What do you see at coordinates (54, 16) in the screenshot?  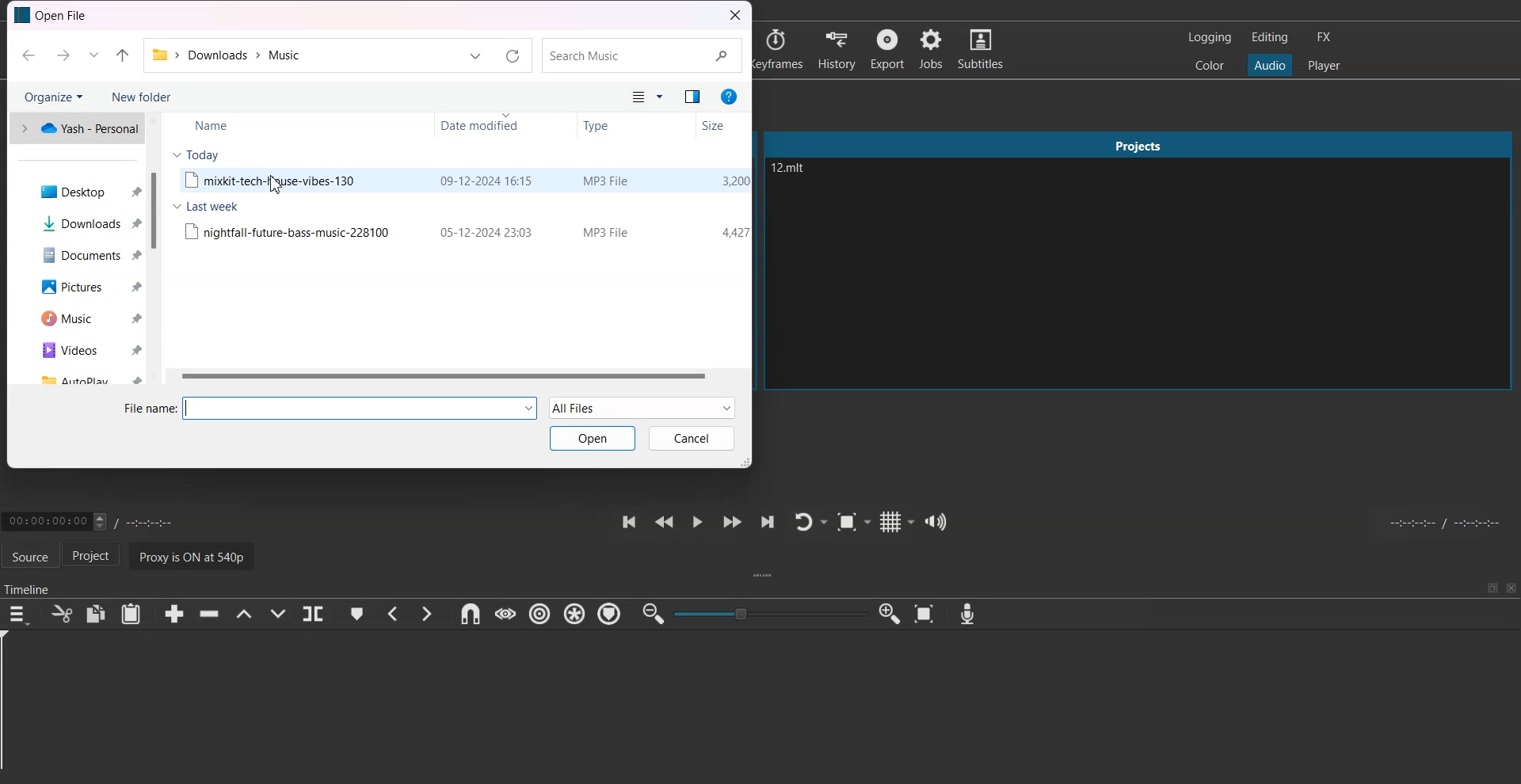 I see `Text 1` at bounding box center [54, 16].